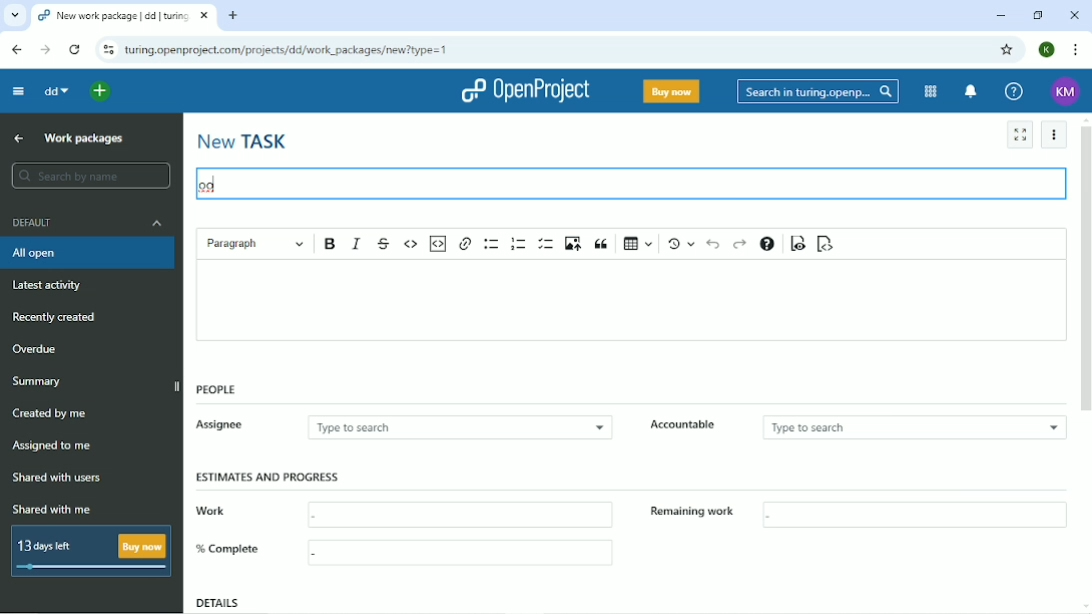  I want to click on Work, so click(231, 515).